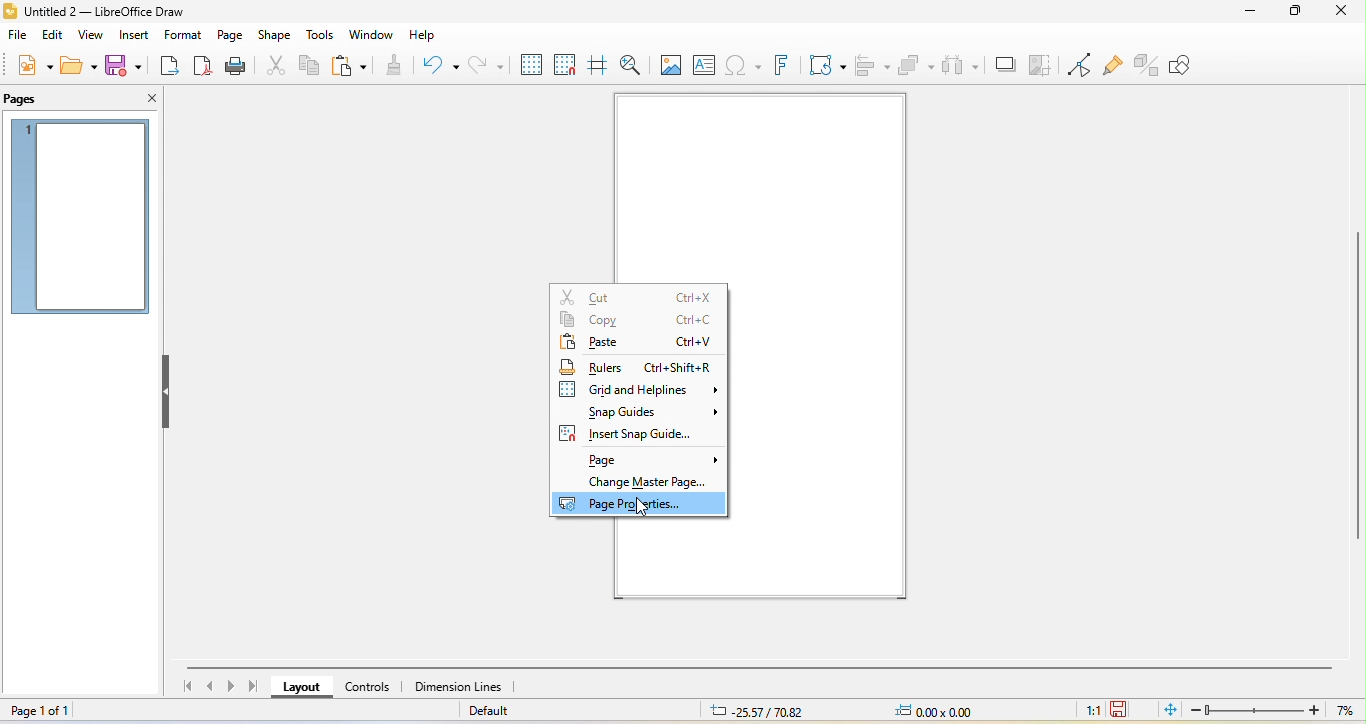 This screenshot has width=1366, height=724. I want to click on layout, so click(303, 690).